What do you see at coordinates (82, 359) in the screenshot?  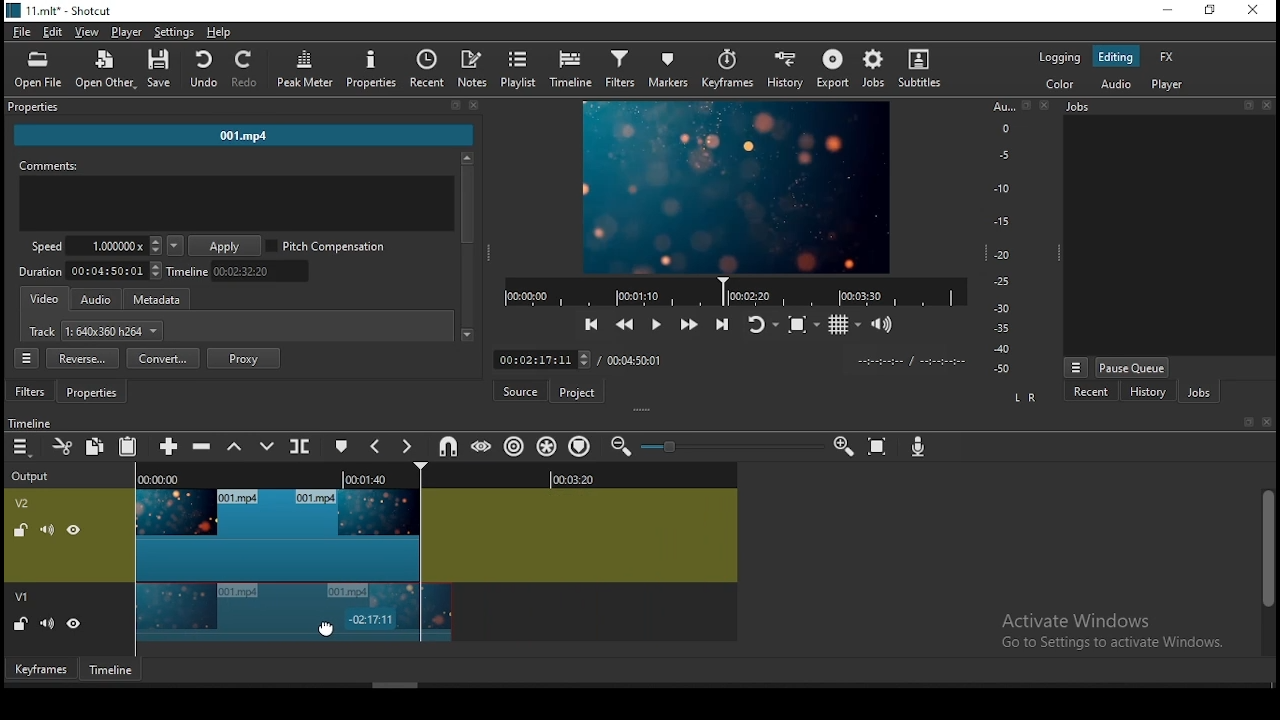 I see `reverse` at bounding box center [82, 359].